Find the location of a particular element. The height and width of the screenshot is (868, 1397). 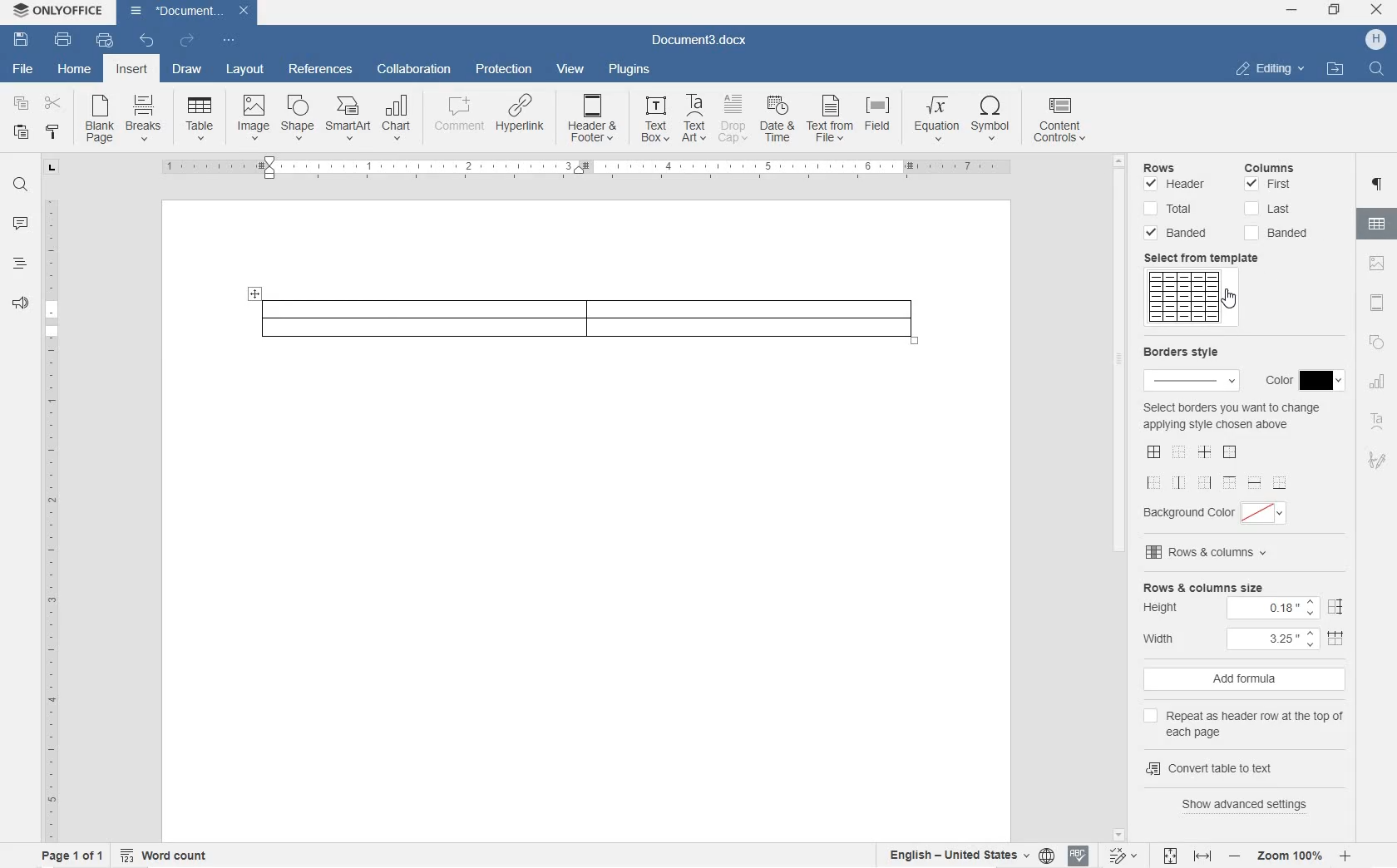

WORD COUNT is located at coordinates (165, 854).